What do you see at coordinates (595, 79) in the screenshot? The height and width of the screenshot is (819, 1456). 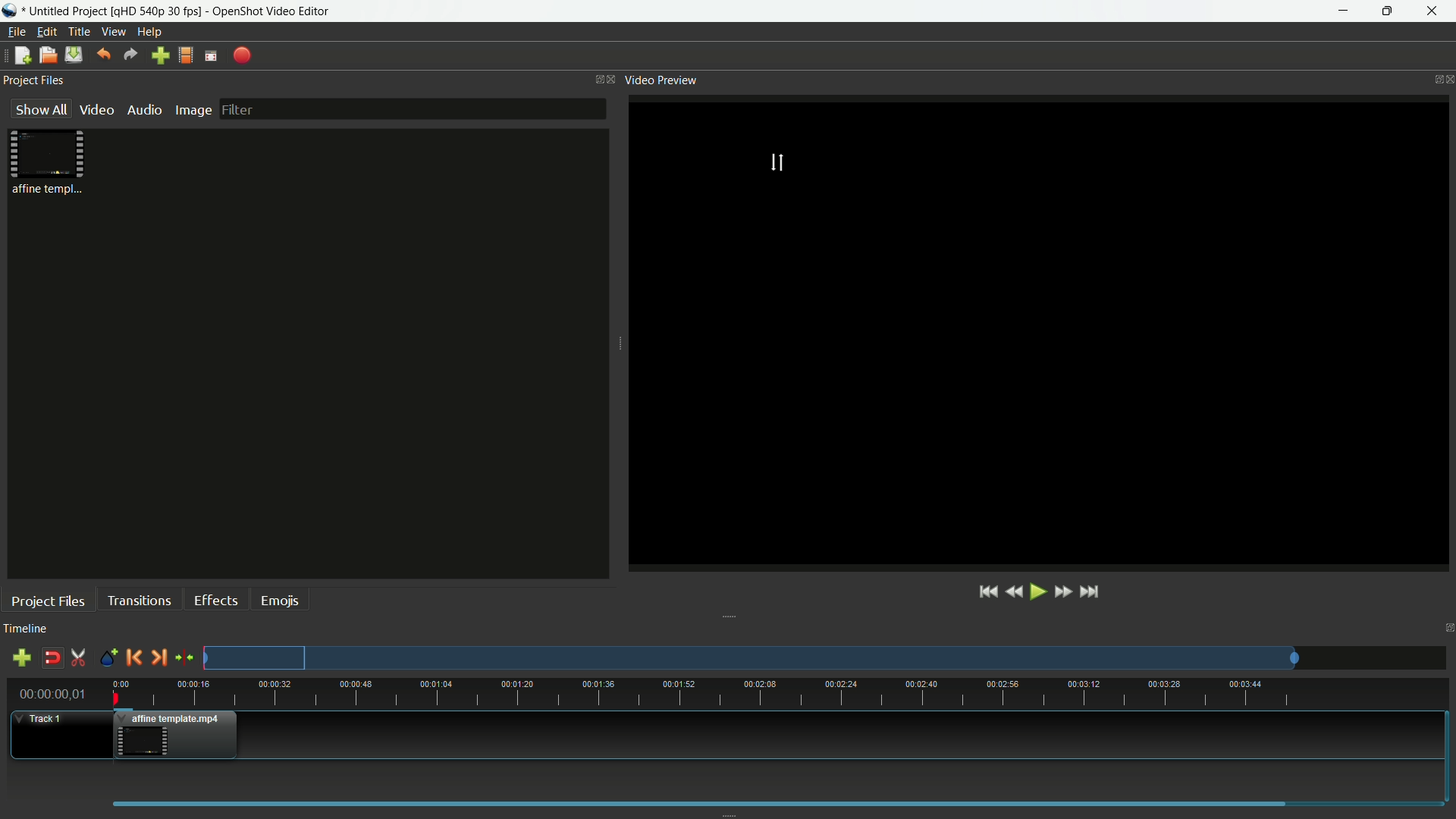 I see `change layout` at bounding box center [595, 79].